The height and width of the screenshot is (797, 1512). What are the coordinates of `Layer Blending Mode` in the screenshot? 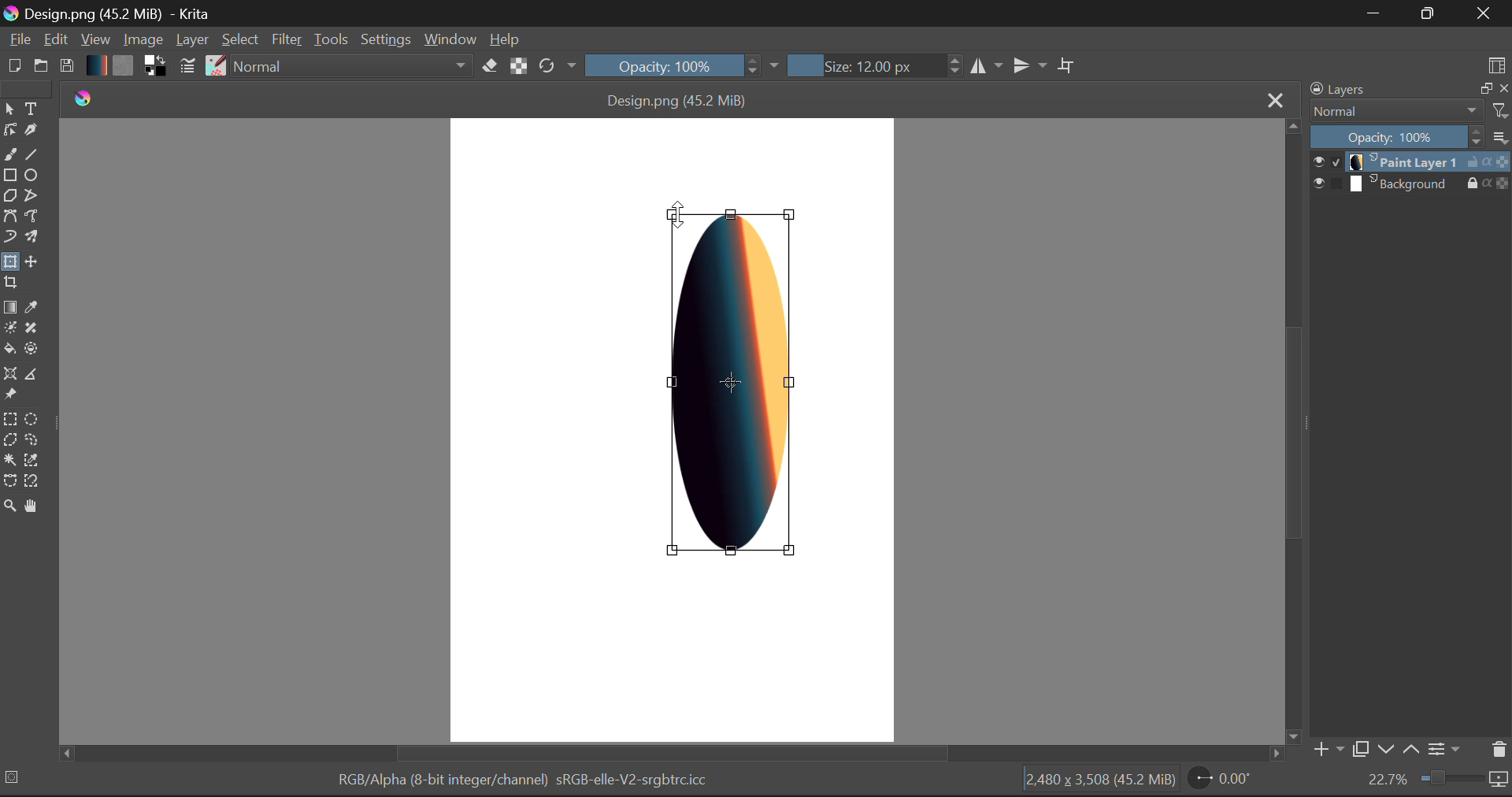 It's located at (1409, 112).